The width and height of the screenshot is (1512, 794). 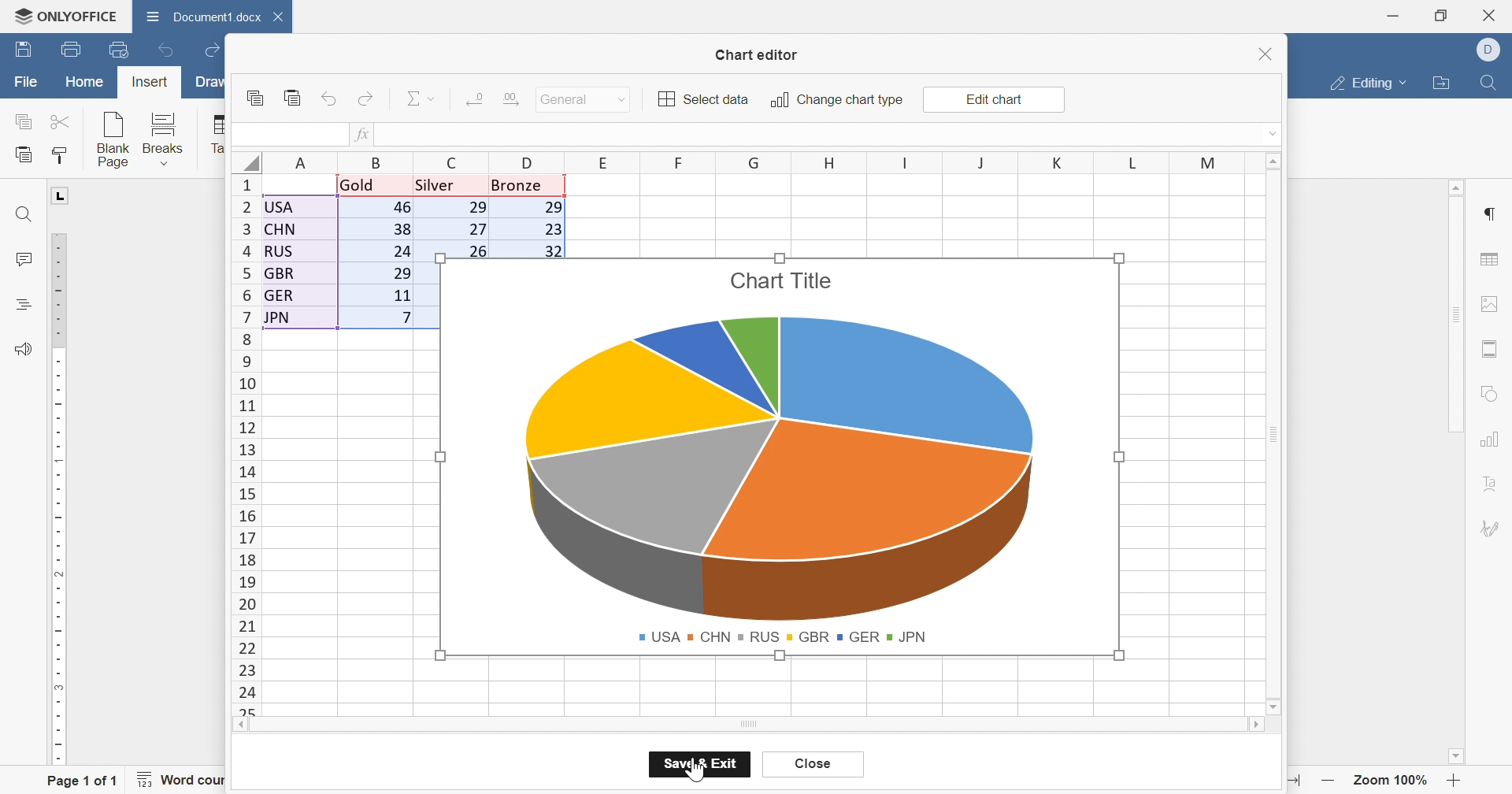 I want to click on Zoom In, so click(x=1455, y=779).